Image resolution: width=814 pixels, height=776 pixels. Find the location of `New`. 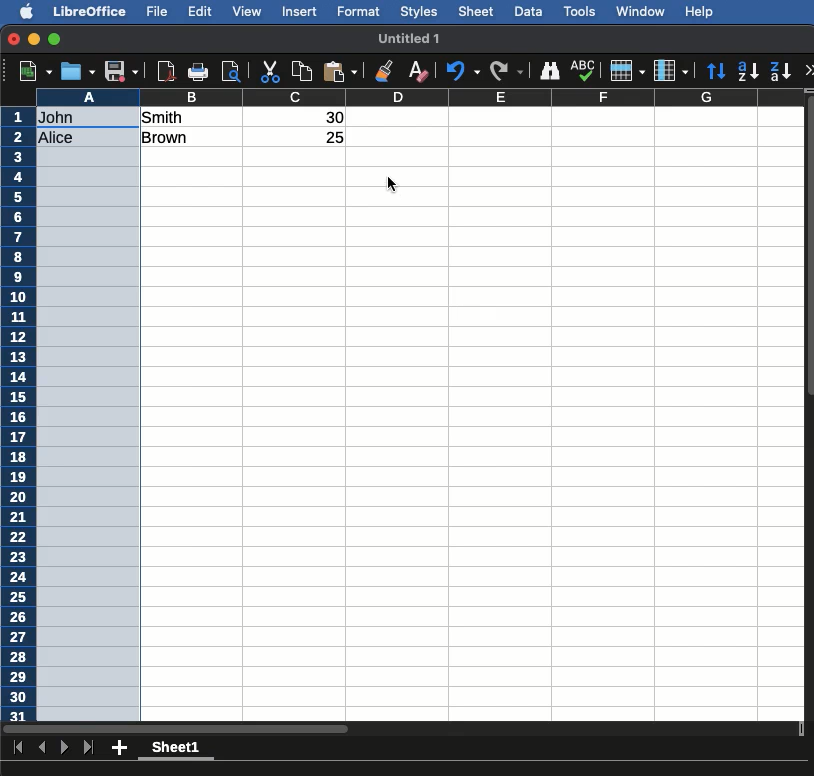

New is located at coordinates (35, 69).